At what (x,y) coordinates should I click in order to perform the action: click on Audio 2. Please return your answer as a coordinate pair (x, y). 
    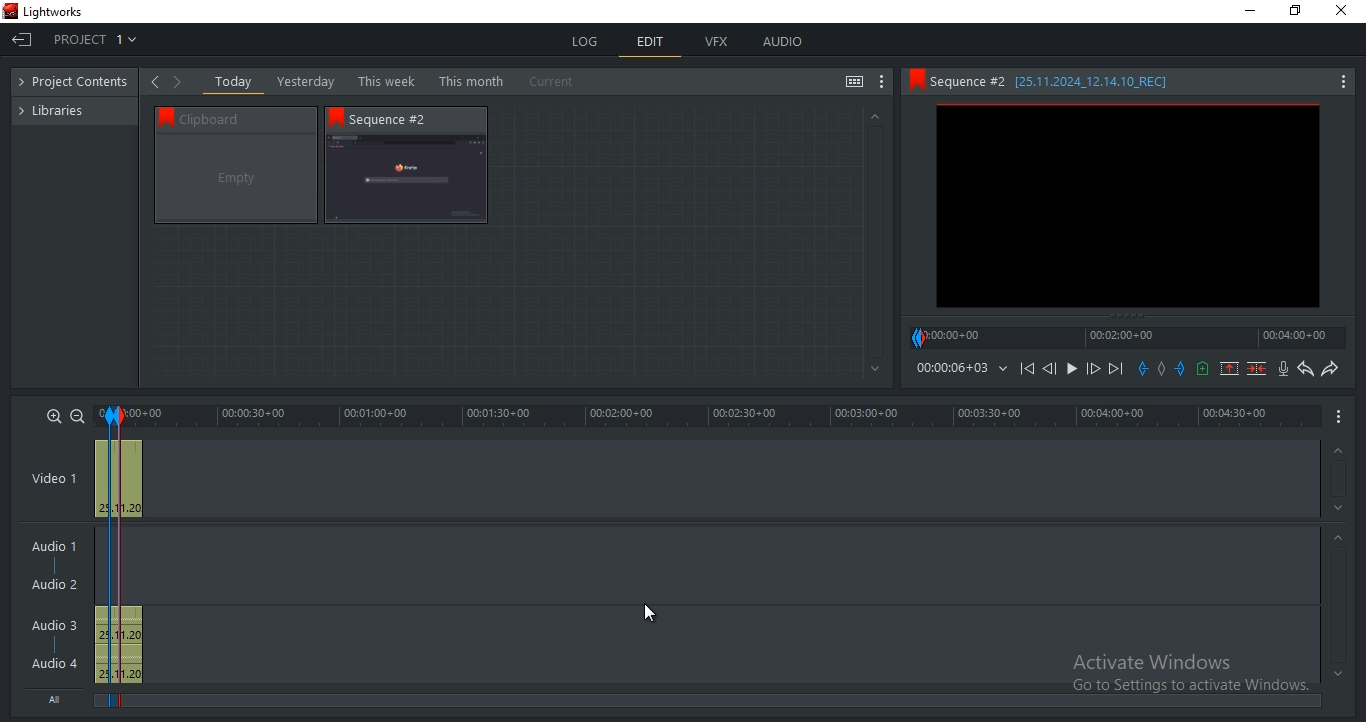
    Looking at the image, I should click on (54, 585).